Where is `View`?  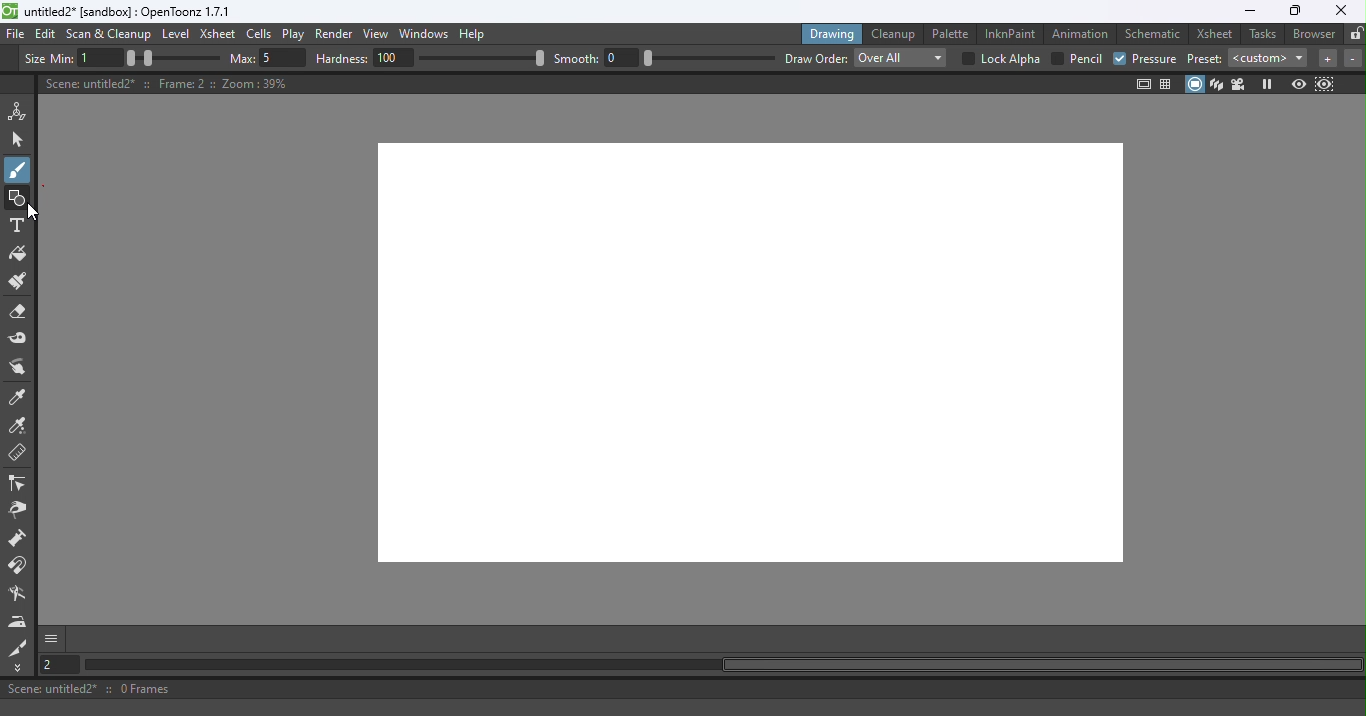
View is located at coordinates (379, 36).